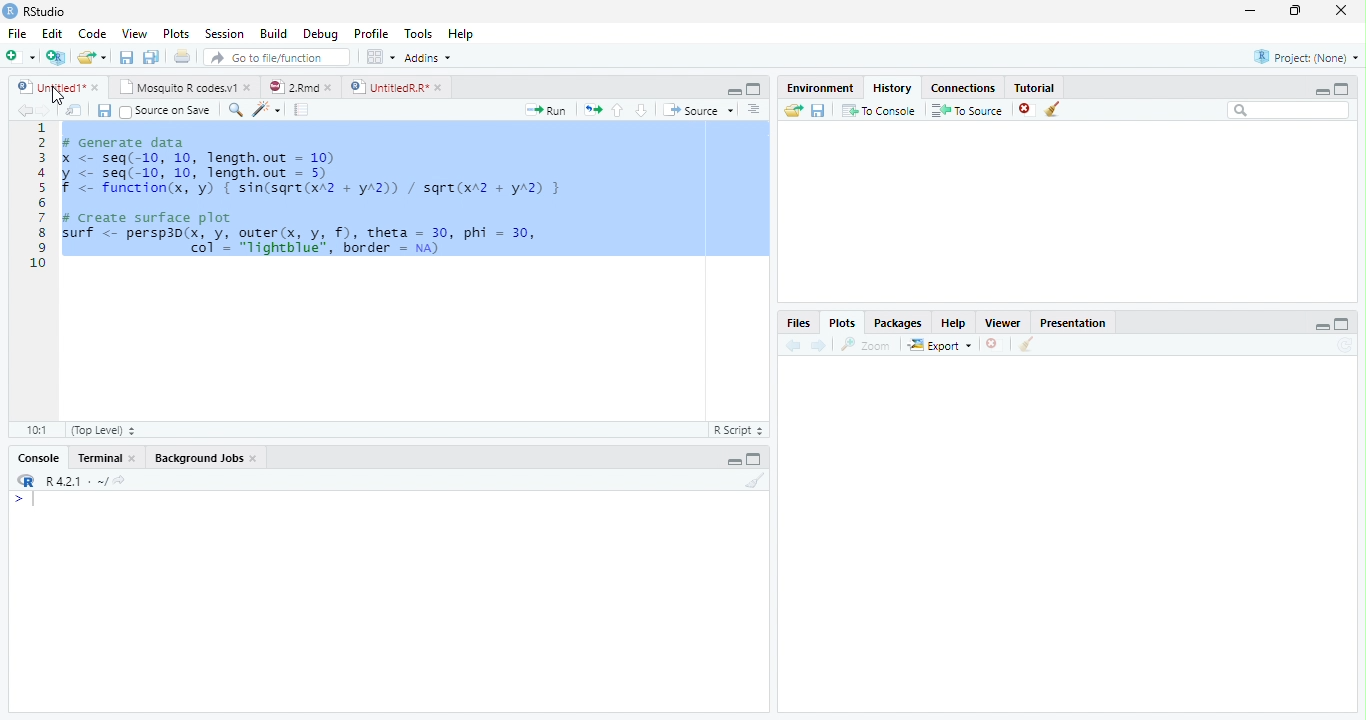 Image resolution: width=1366 pixels, height=720 pixels. What do you see at coordinates (17, 33) in the screenshot?
I see `File` at bounding box center [17, 33].